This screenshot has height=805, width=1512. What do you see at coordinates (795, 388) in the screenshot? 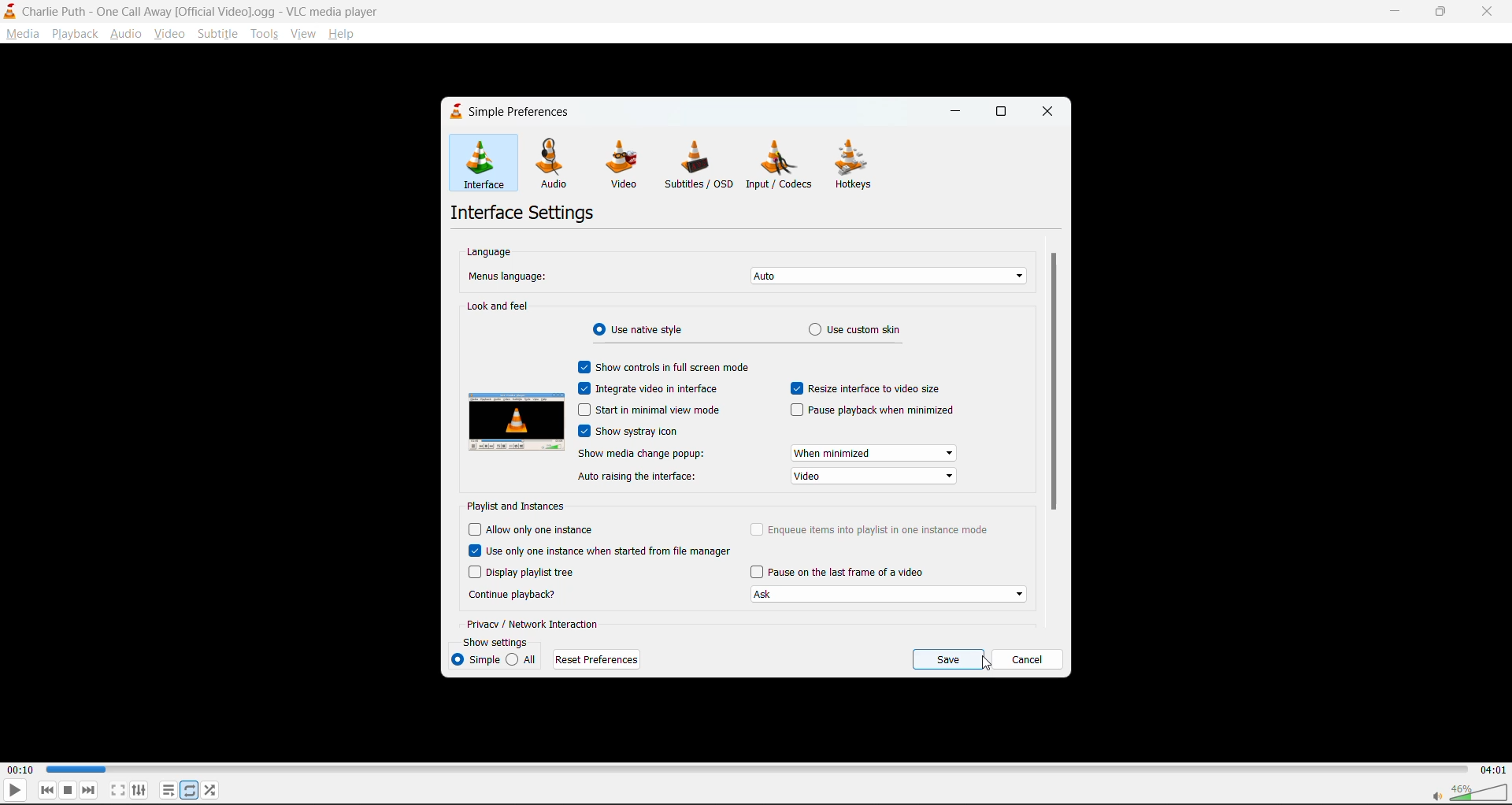
I see `Checbox` at bounding box center [795, 388].